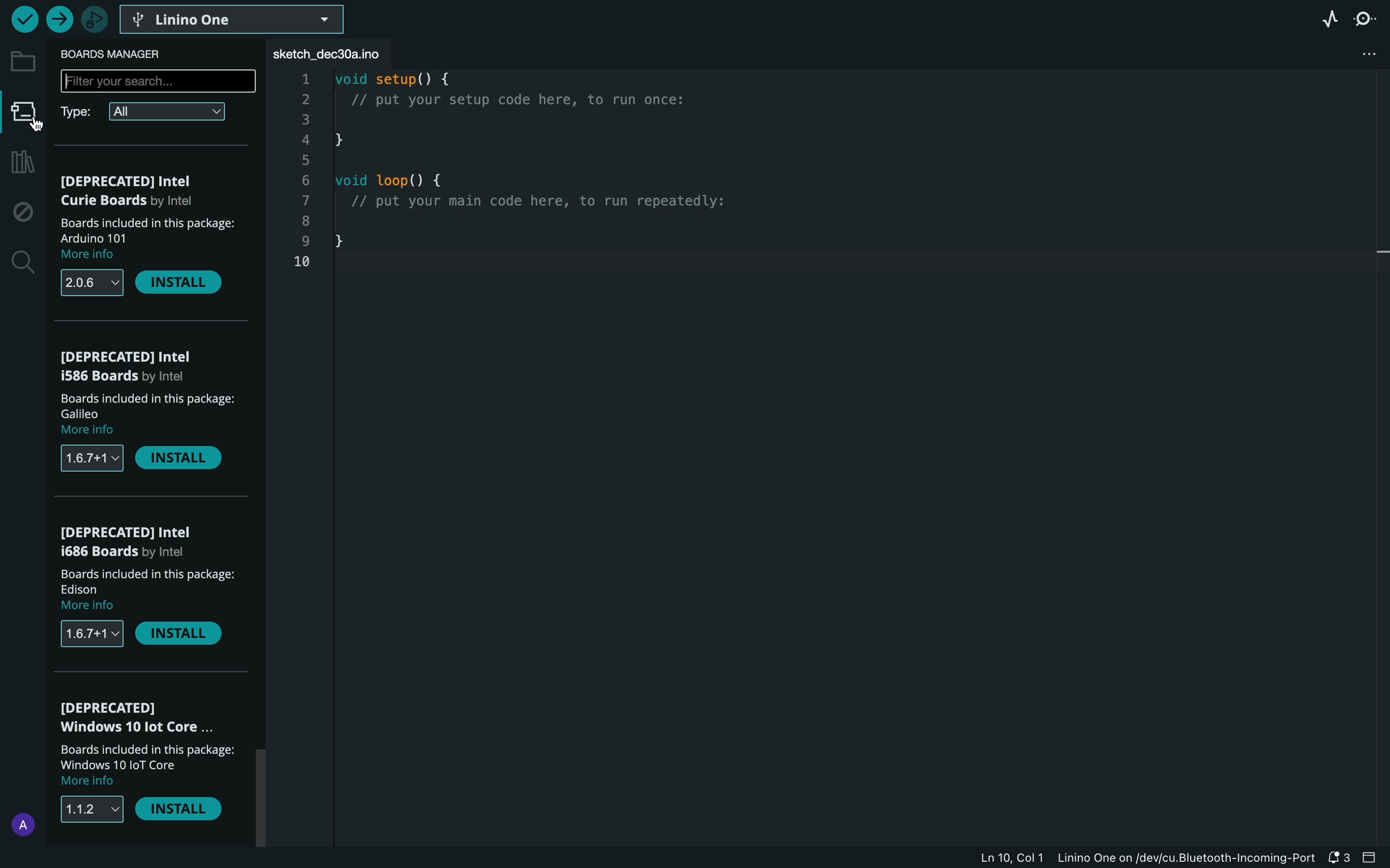 The image size is (1390, 868). Describe the element at coordinates (20, 211) in the screenshot. I see `debug` at that location.